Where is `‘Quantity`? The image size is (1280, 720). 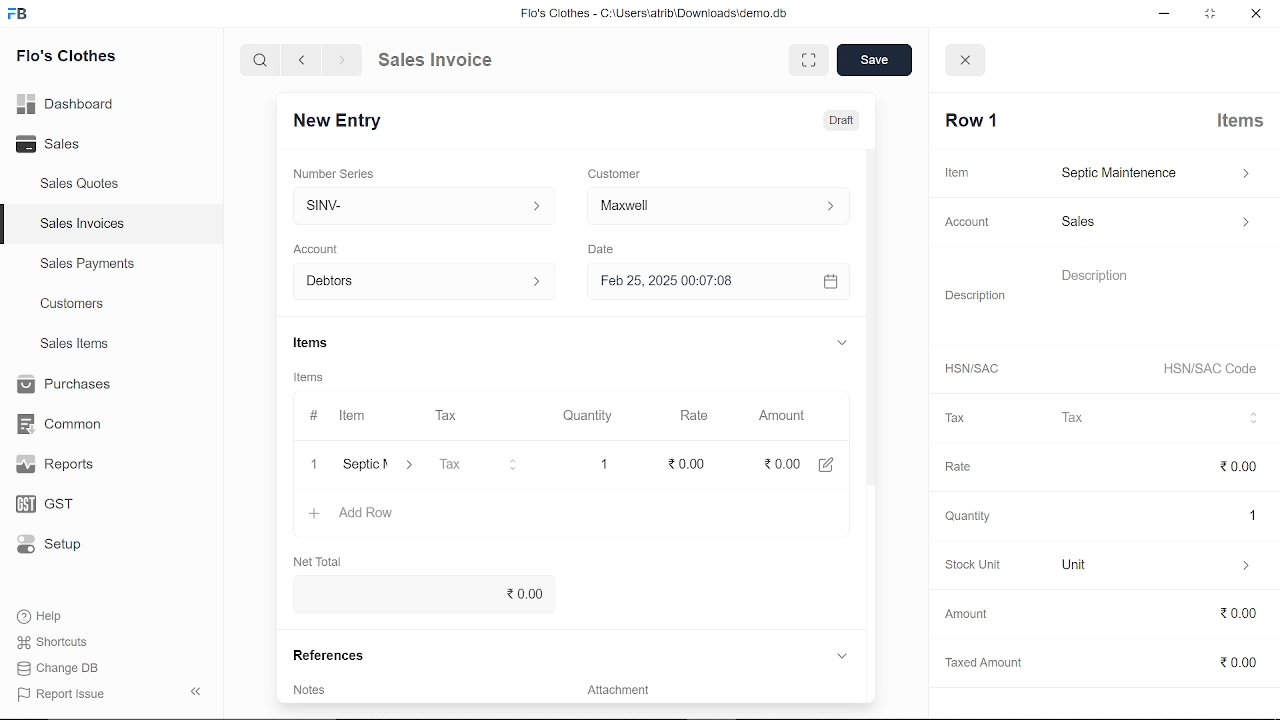
‘Quantity is located at coordinates (965, 516).